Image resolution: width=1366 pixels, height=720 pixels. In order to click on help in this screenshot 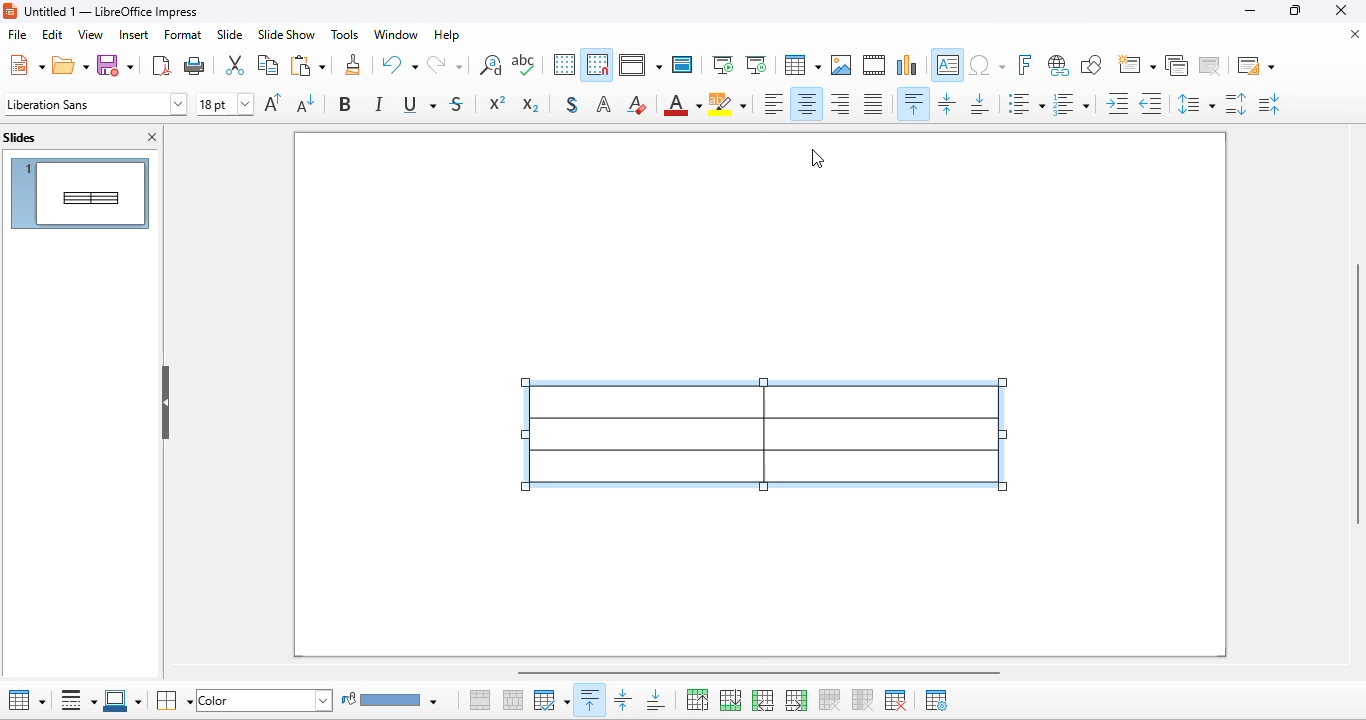, I will do `click(448, 35)`.